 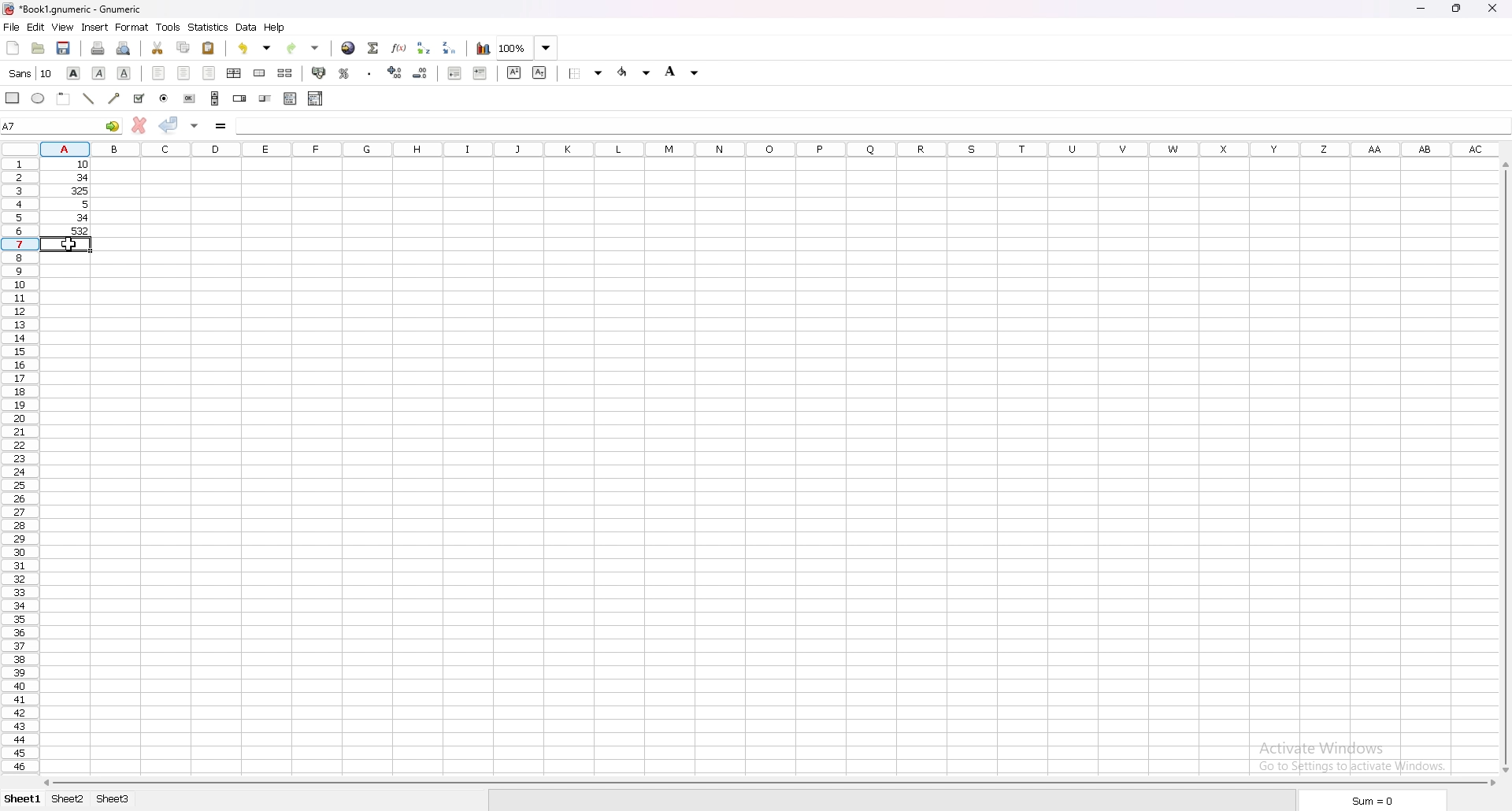 What do you see at coordinates (133, 27) in the screenshot?
I see `format` at bounding box center [133, 27].